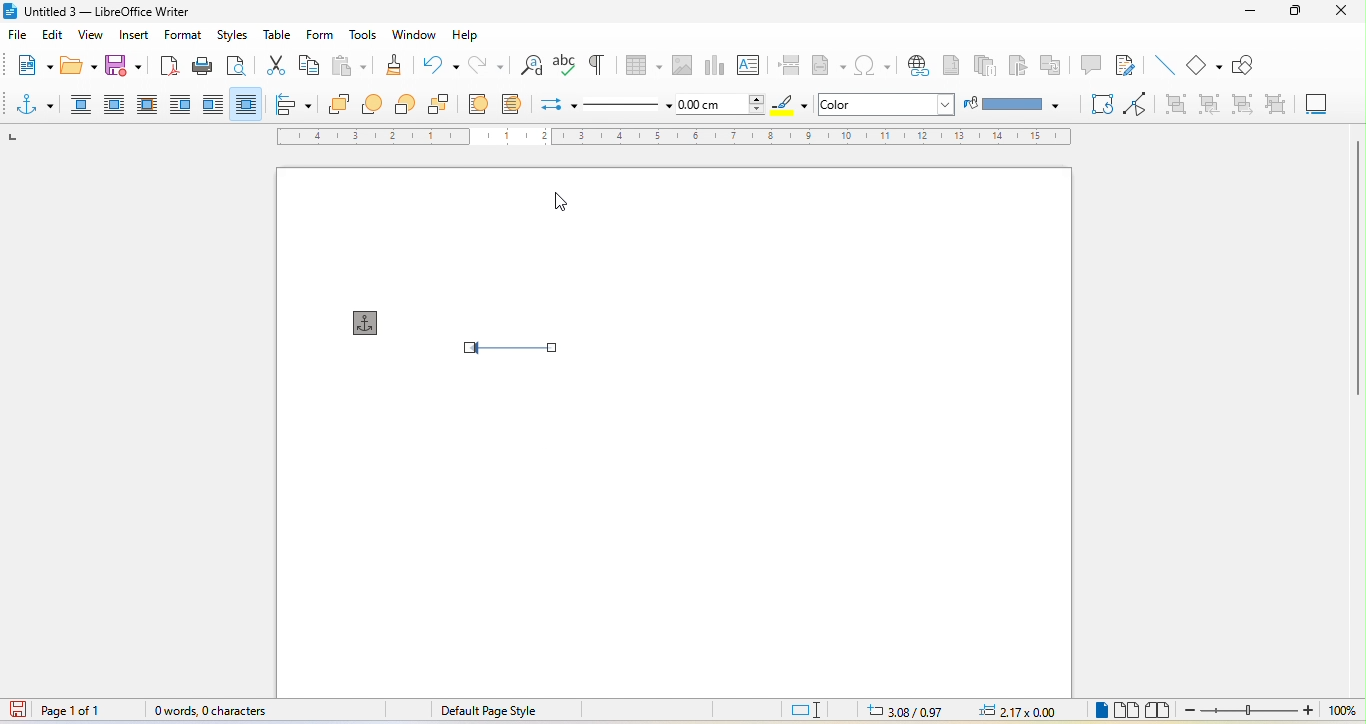  I want to click on view, so click(88, 37).